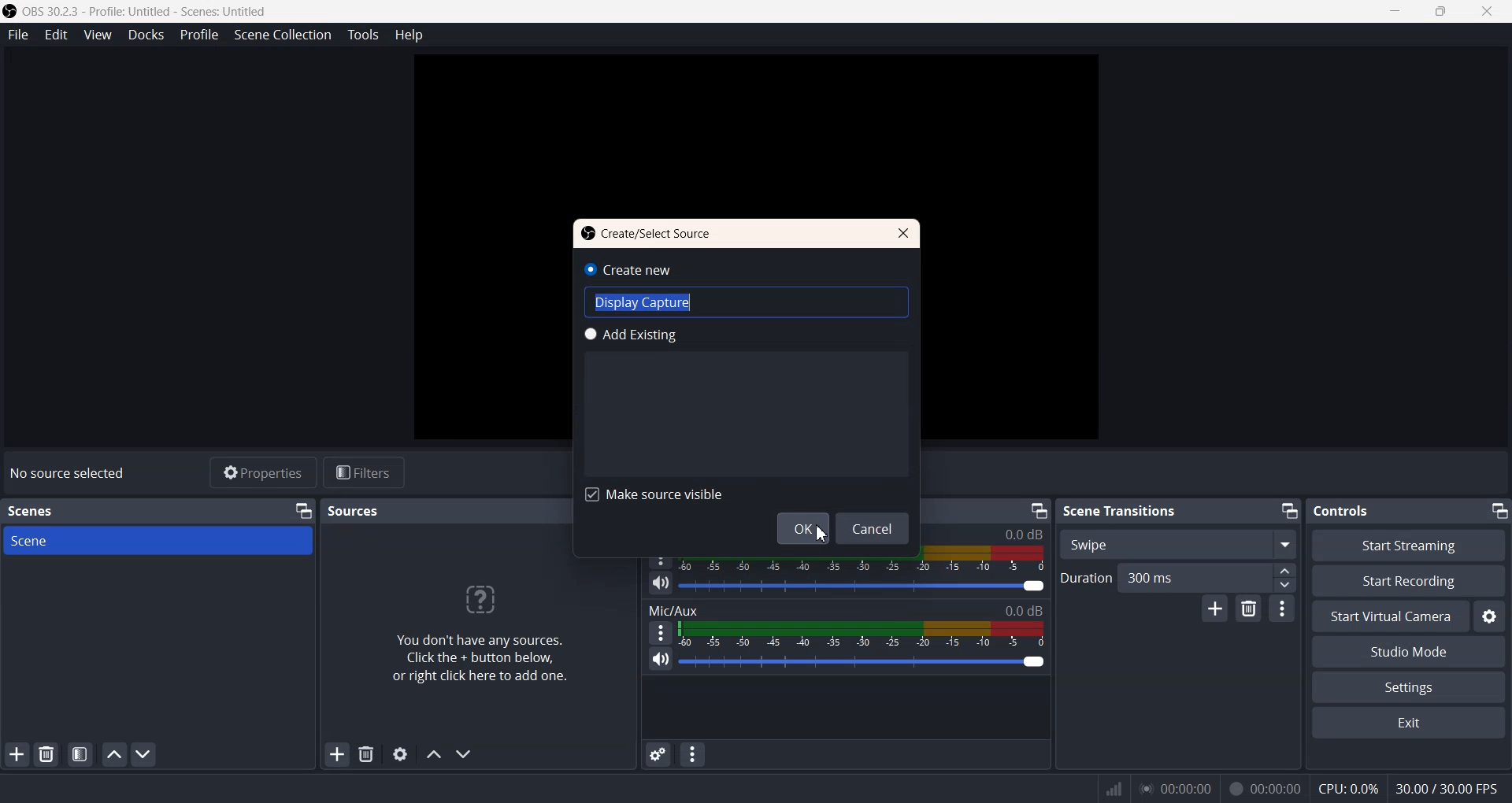  What do you see at coordinates (158, 540) in the screenshot?
I see `Scene` at bounding box center [158, 540].